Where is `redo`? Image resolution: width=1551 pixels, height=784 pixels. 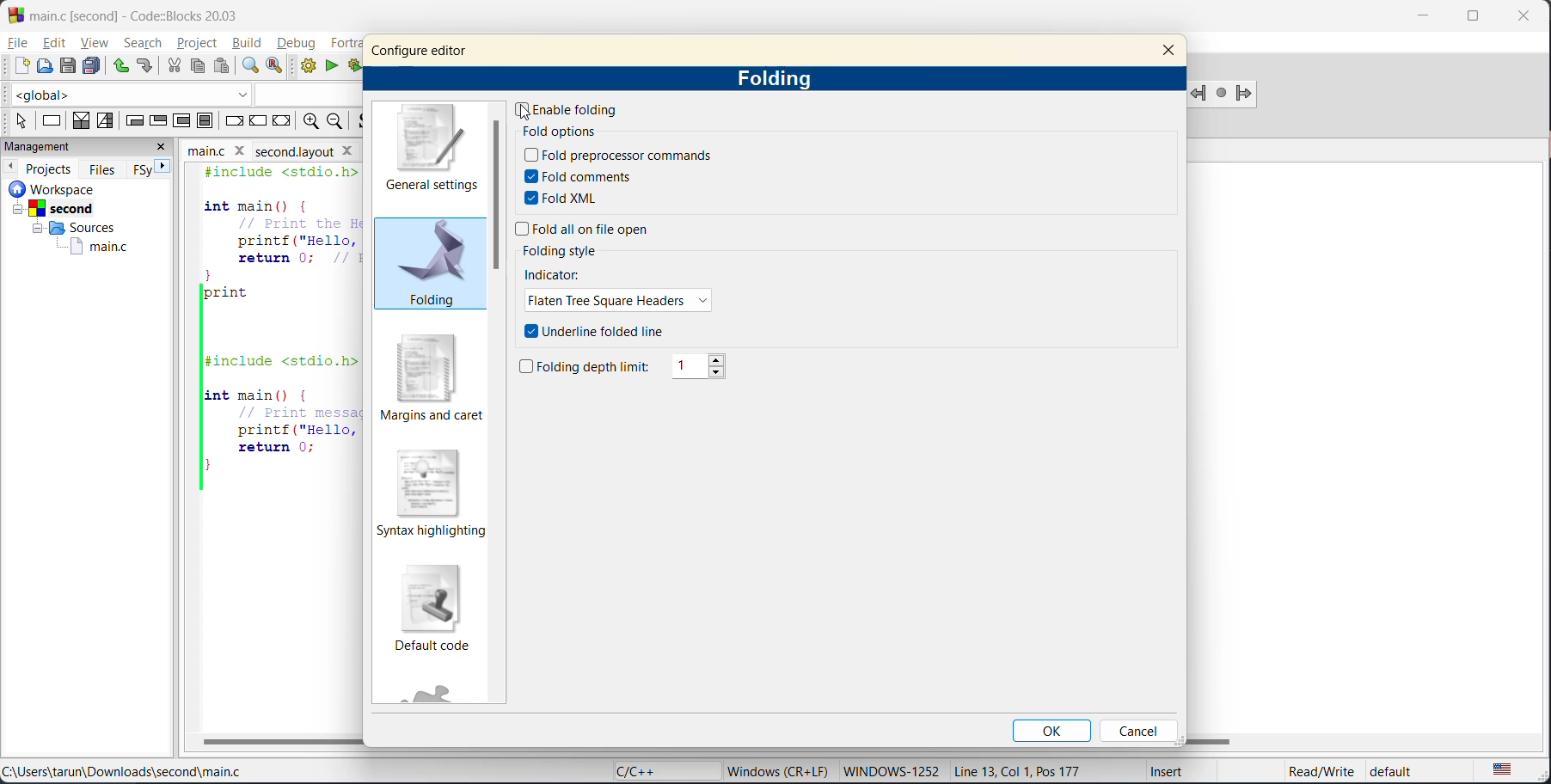 redo is located at coordinates (148, 68).